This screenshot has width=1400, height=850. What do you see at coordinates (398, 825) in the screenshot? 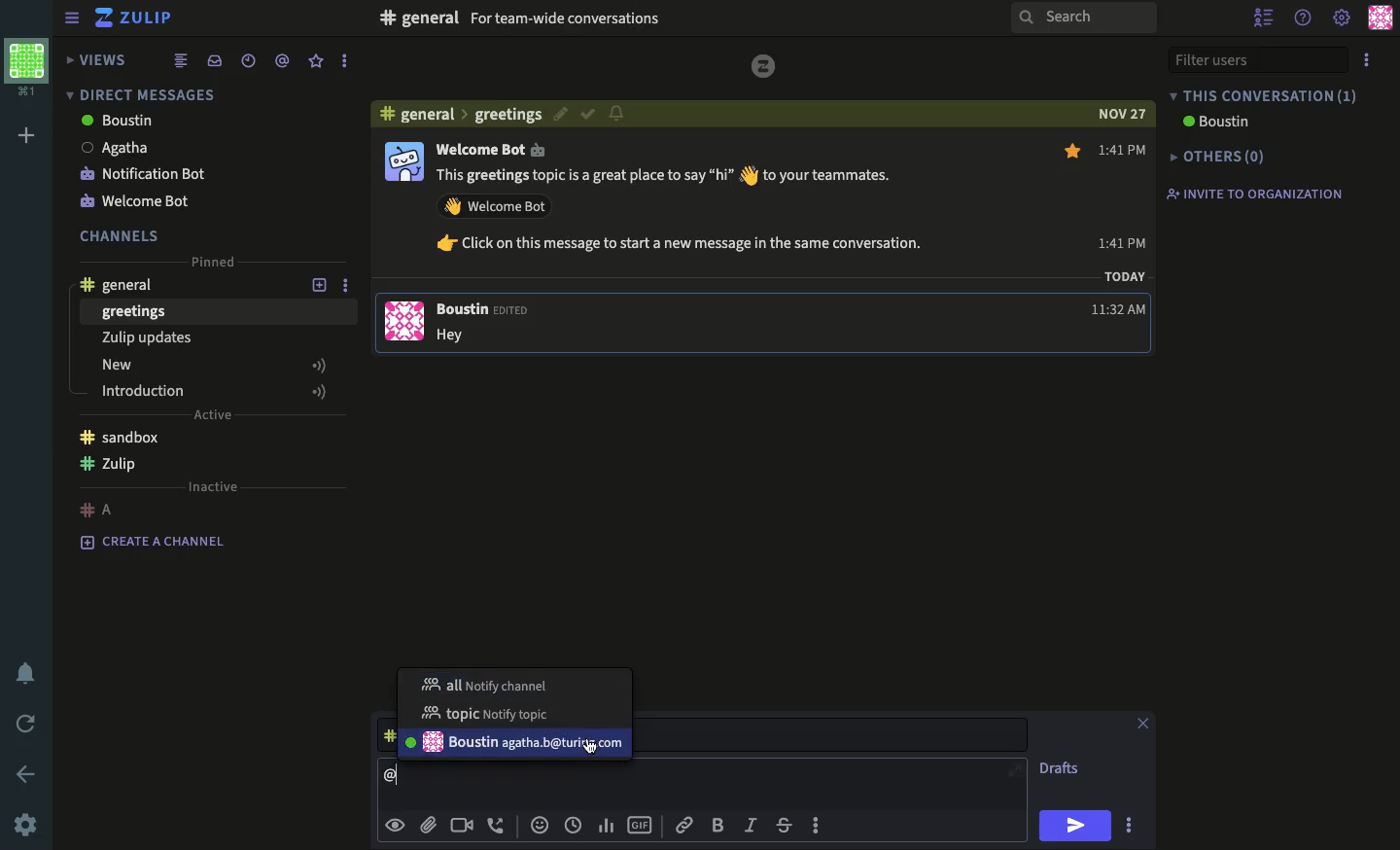
I see `visible` at bounding box center [398, 825].